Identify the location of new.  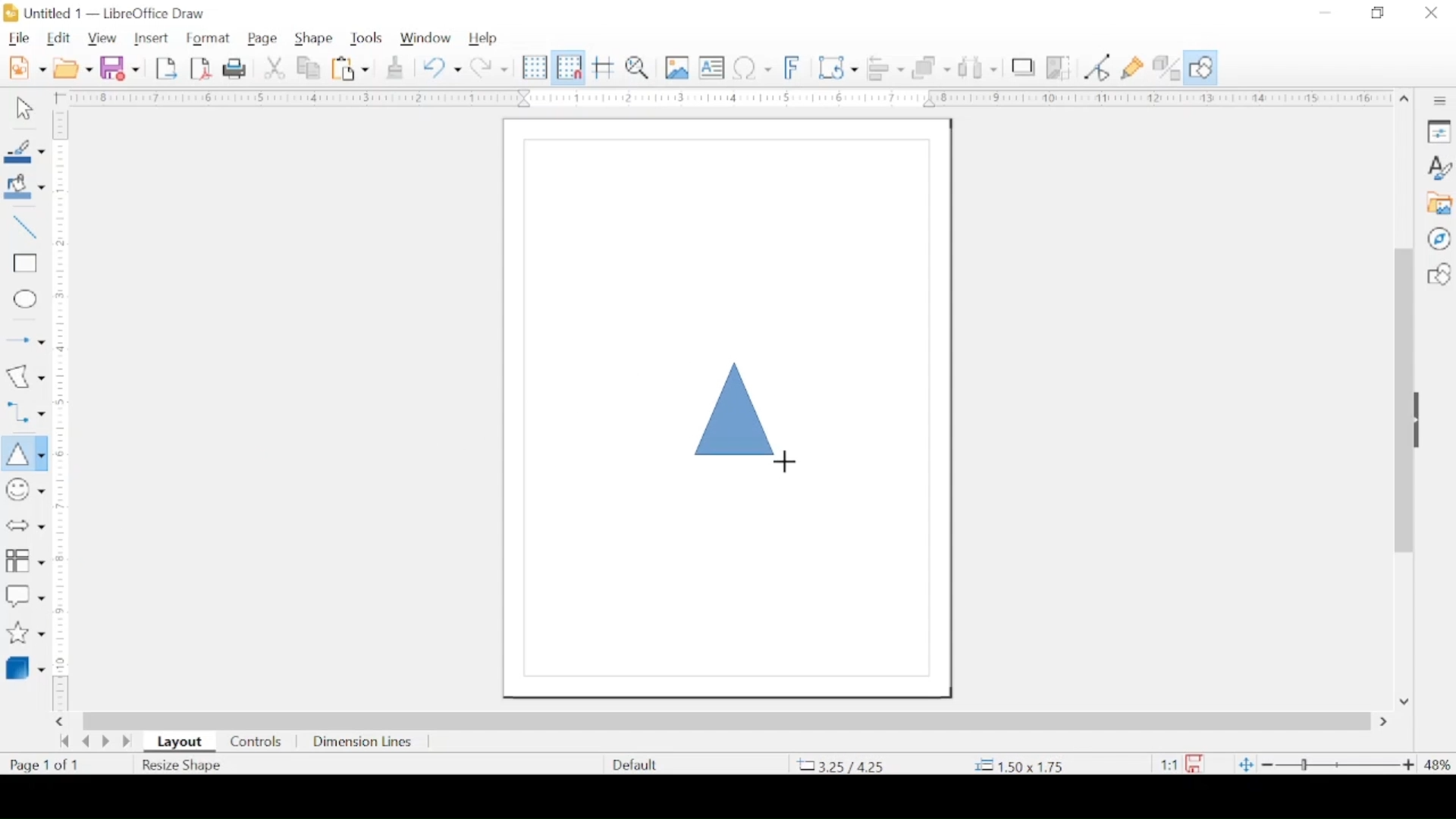
(29, 67).